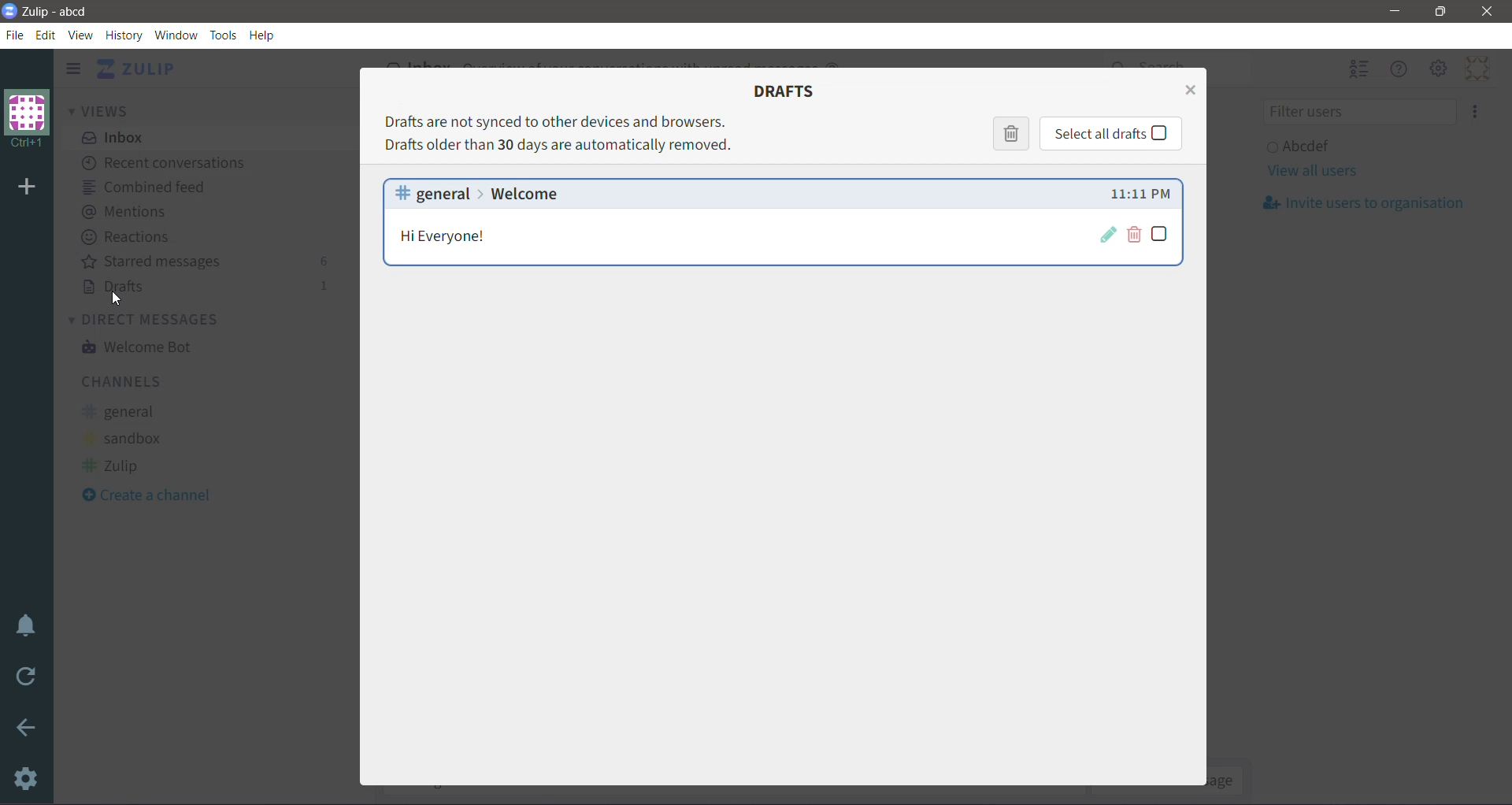 Image resolution: width=1512 pixels, height=805 pixels. What do you see at coordinates (28, 778) in the screenshot?
I see `Settings` at bounding box center [28, 778].